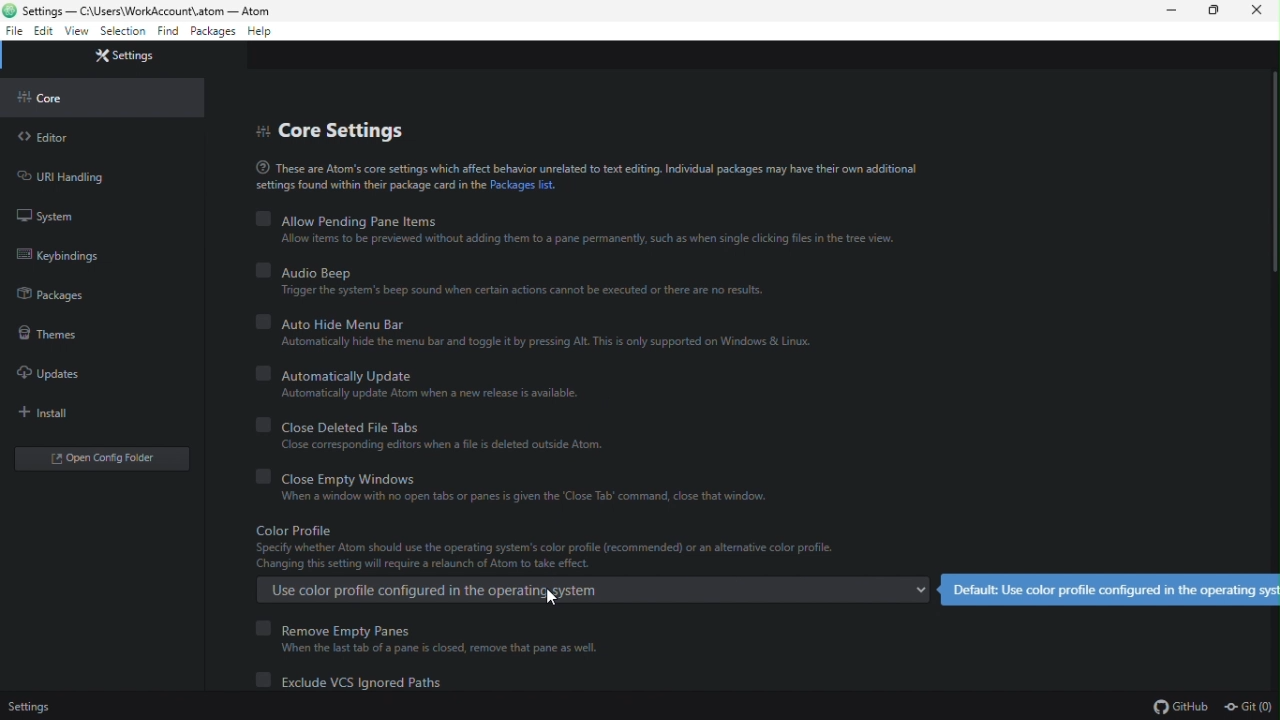 The image size is (1280, 720). I want to click on audio beep, so click(510, 280).